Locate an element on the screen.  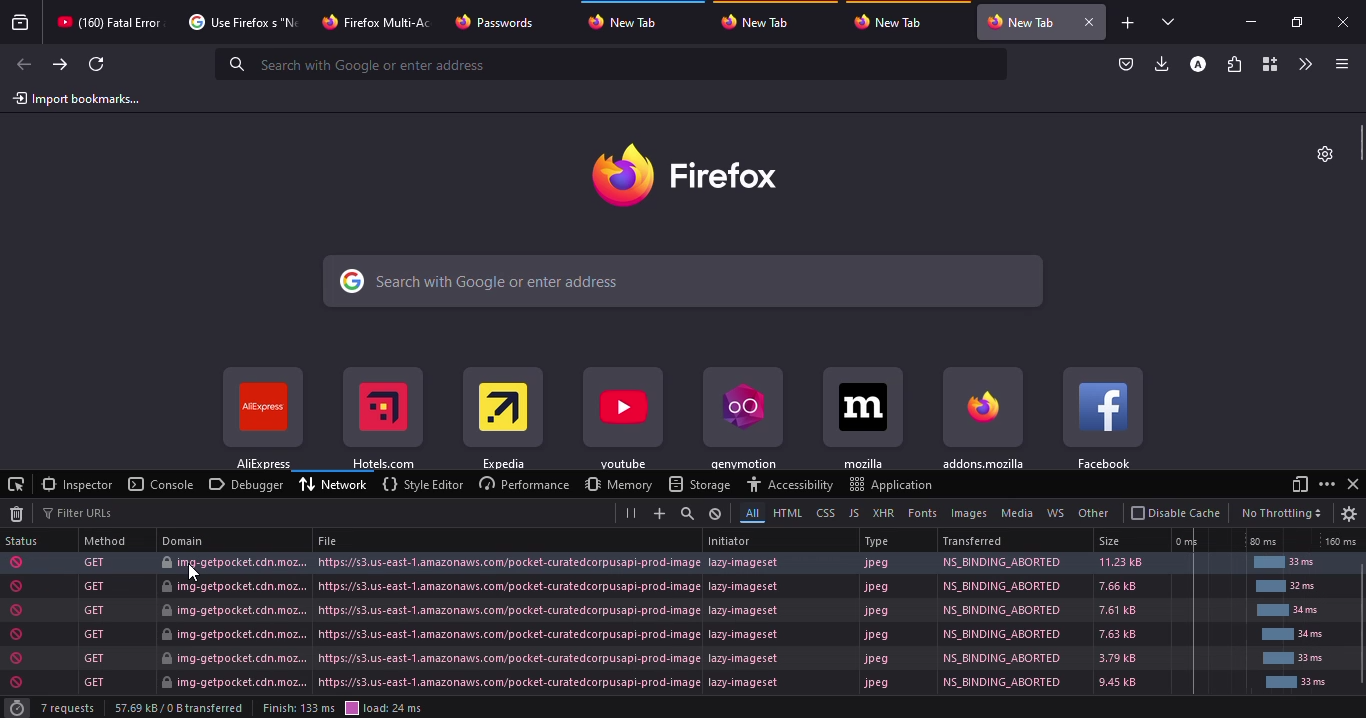
shortcuts is located at coordinates (742, 420).